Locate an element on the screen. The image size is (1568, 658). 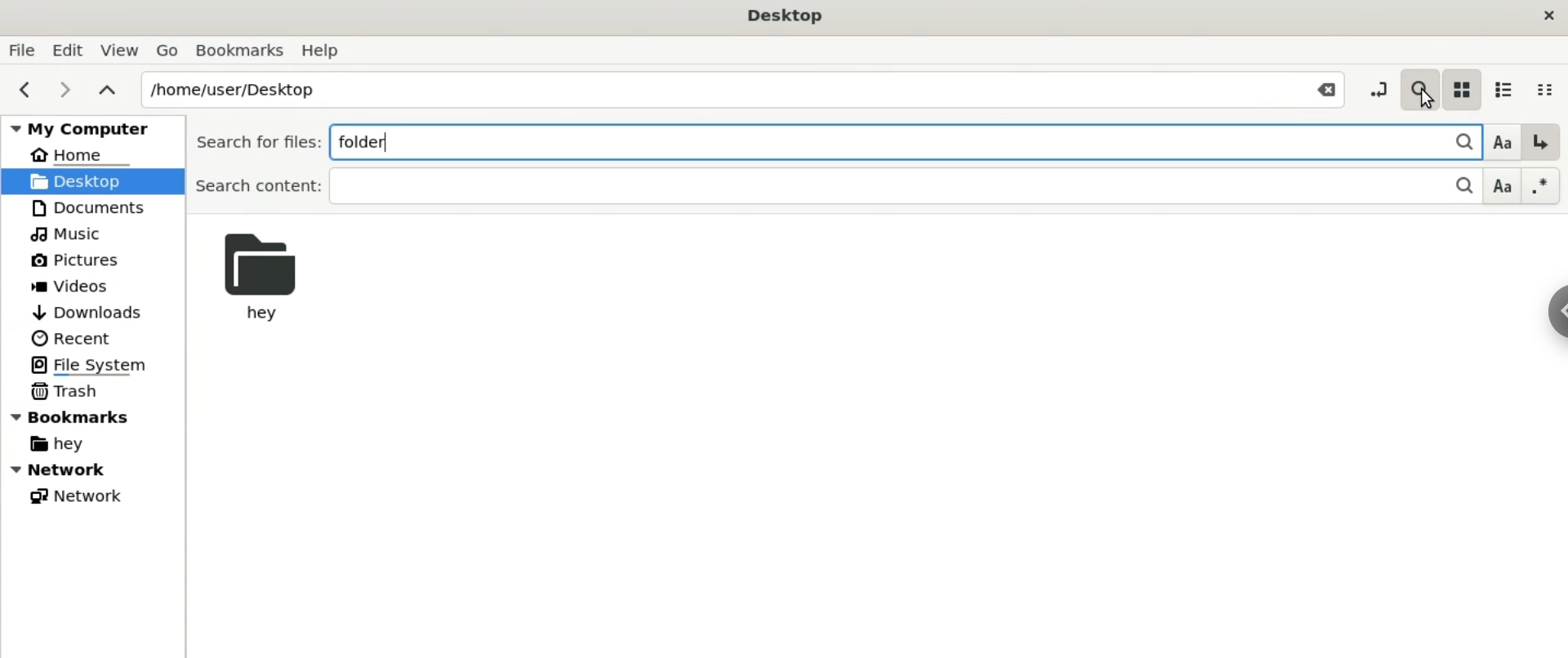
Network is located at coordinates (73, 494).